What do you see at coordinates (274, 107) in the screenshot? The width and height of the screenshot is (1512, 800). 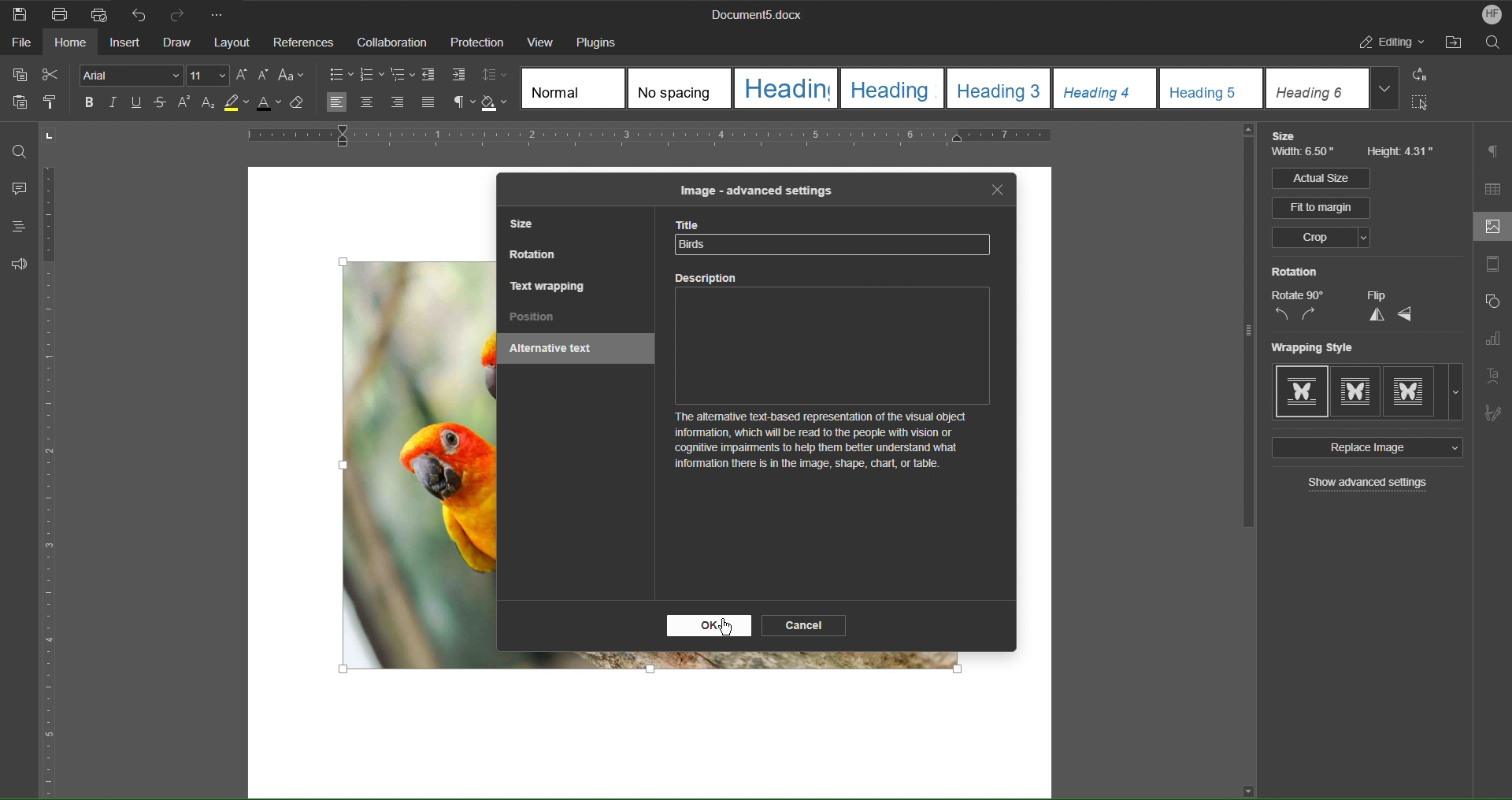 I see `Text Color` at bounding box center [274, 107].